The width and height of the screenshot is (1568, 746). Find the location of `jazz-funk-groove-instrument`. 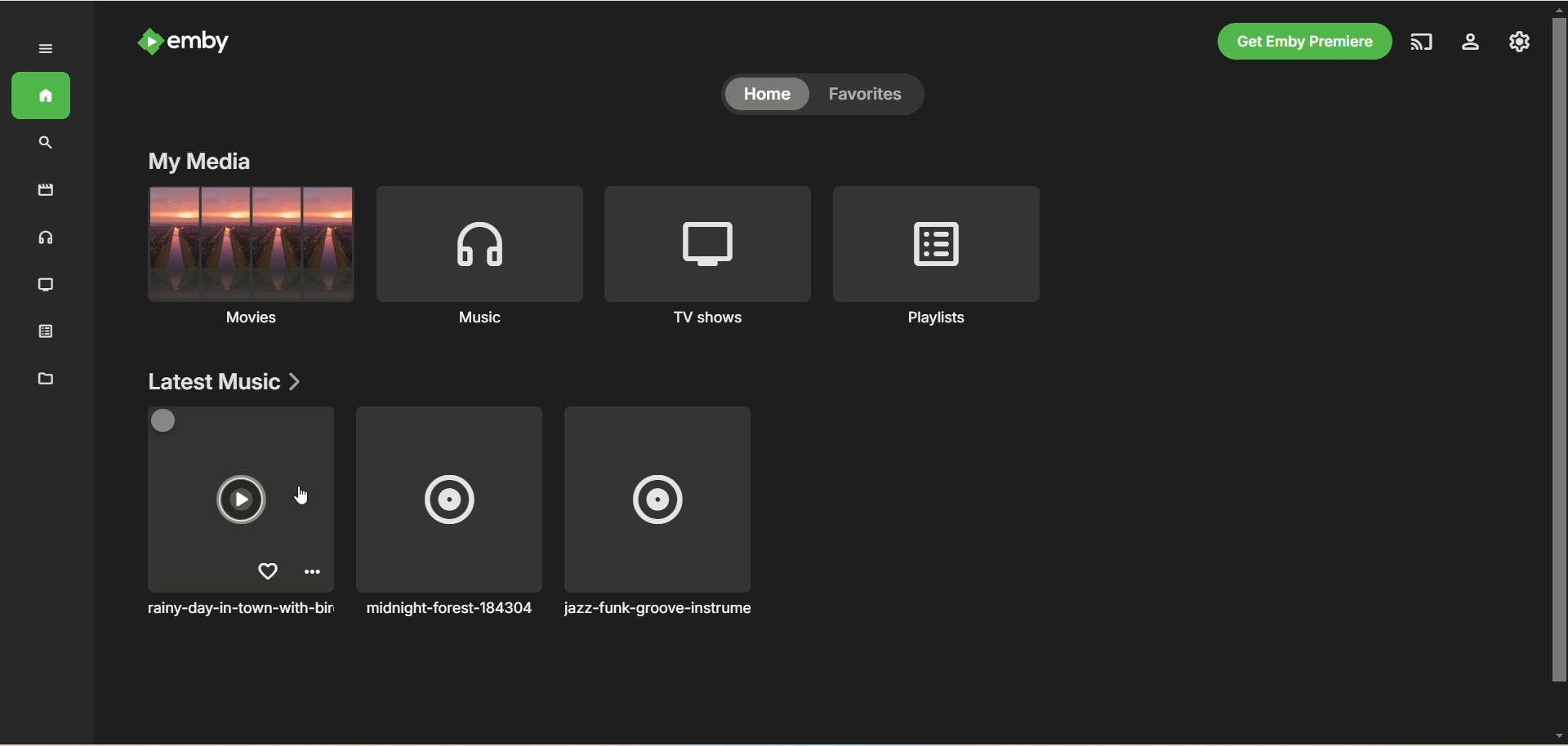

jazz-funk-groove-instrument is located at coordinates (667, 511).